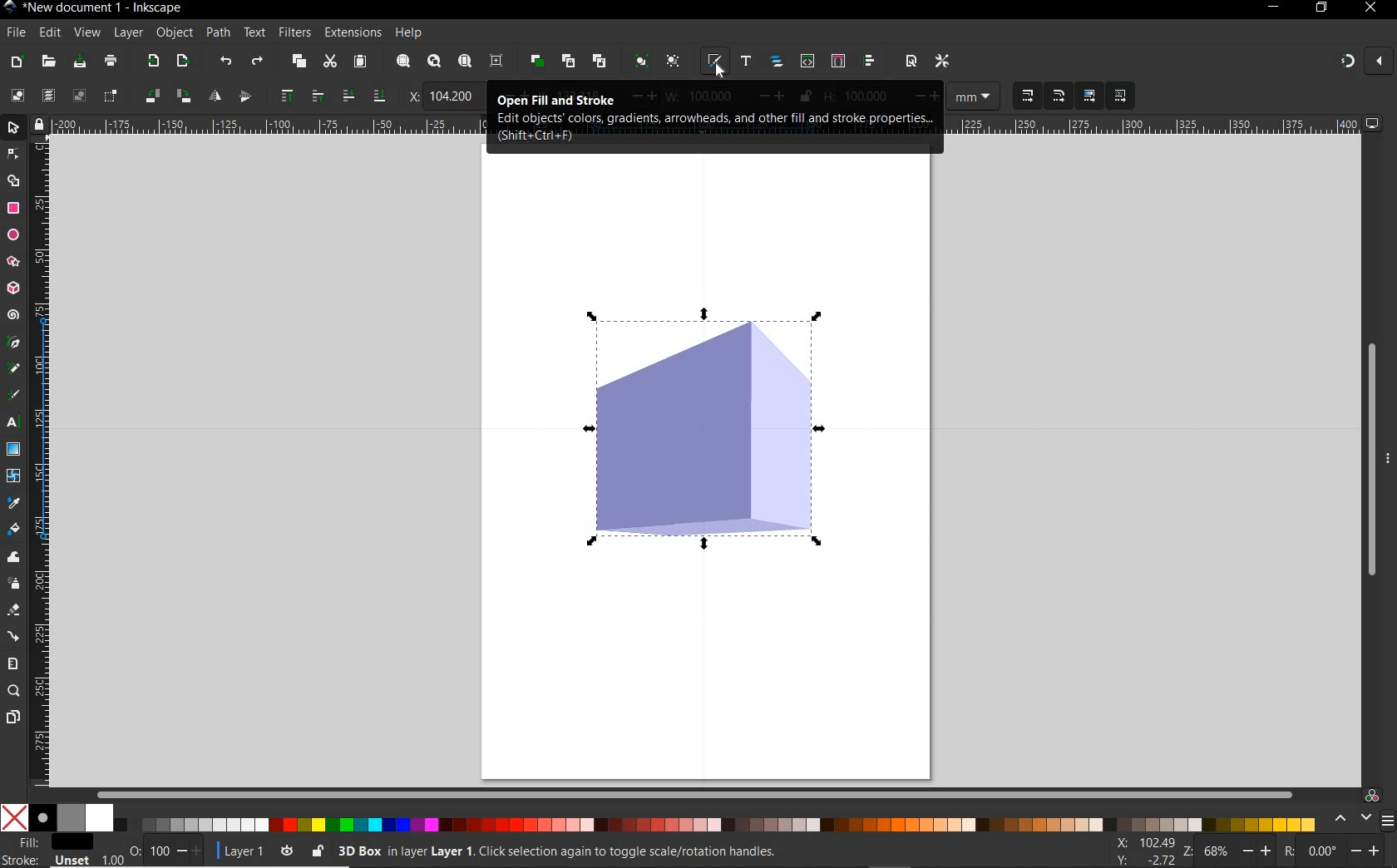  What do you see at coordinates (378, 97) in the screenshot?
I see `LOWER SELECTION` at bounding box center [378, 97].